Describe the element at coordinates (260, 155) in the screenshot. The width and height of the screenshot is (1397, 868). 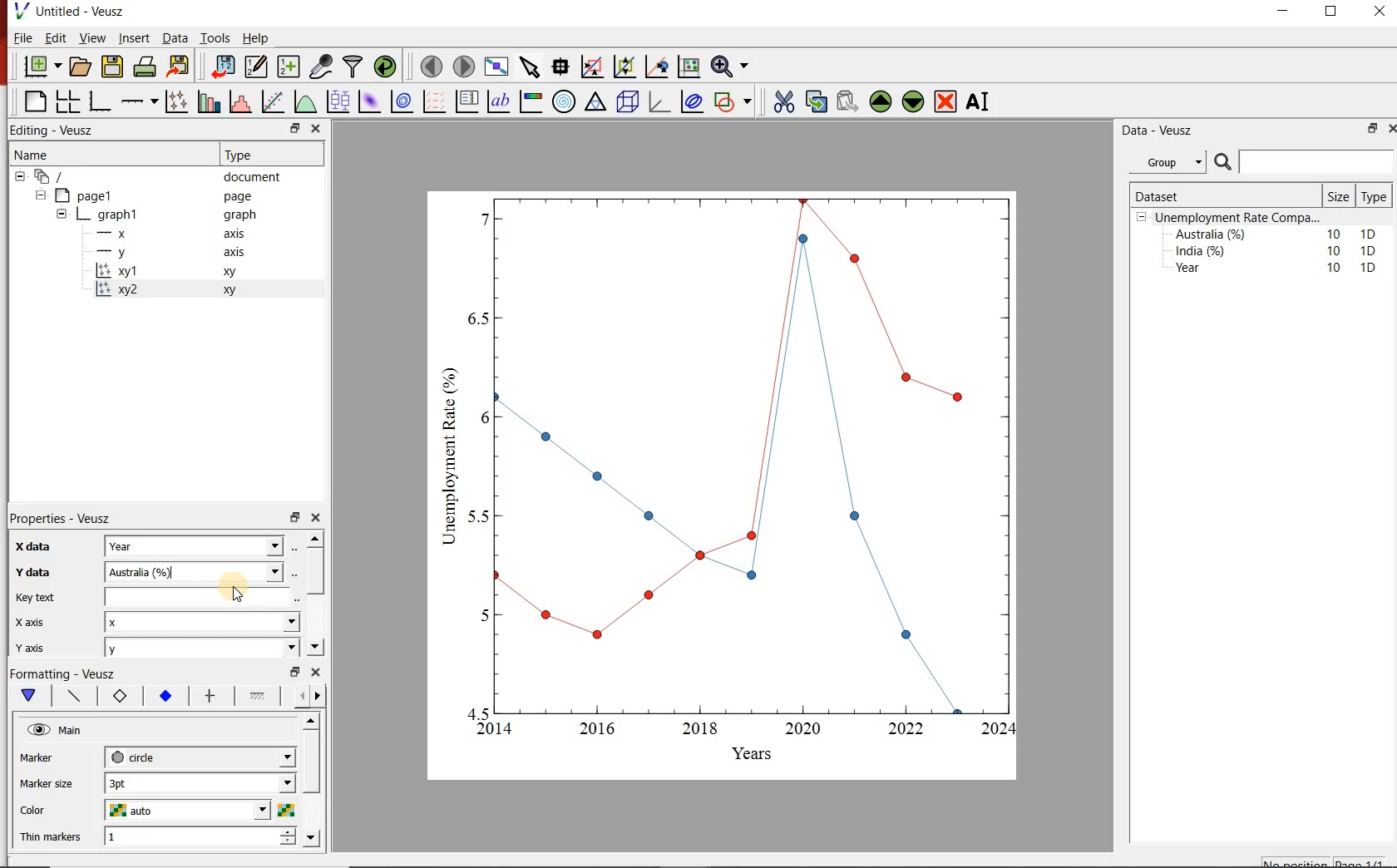
I see `Type` at that location.